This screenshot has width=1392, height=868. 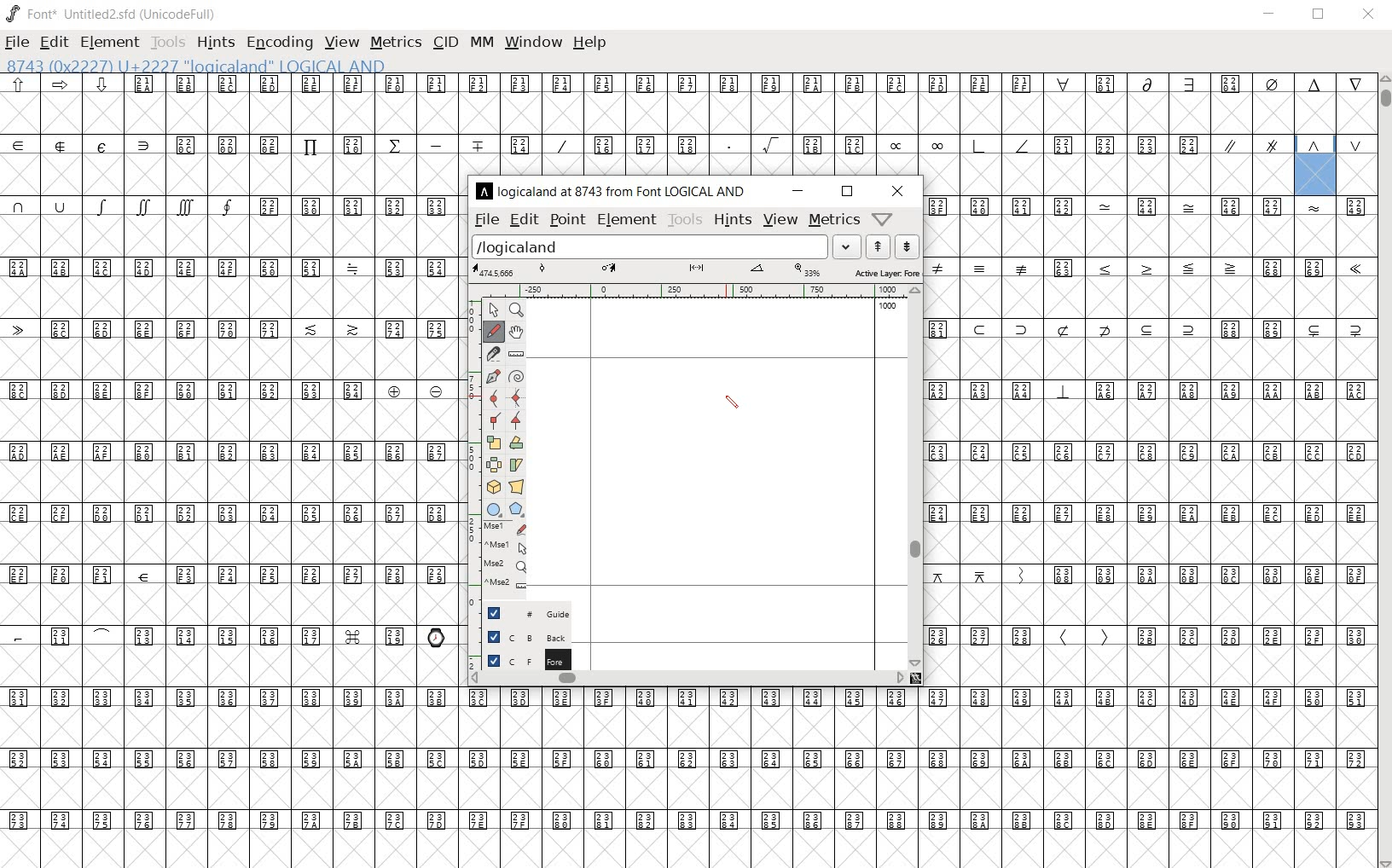 I want to click on ruler, so click(x=692, y=291).